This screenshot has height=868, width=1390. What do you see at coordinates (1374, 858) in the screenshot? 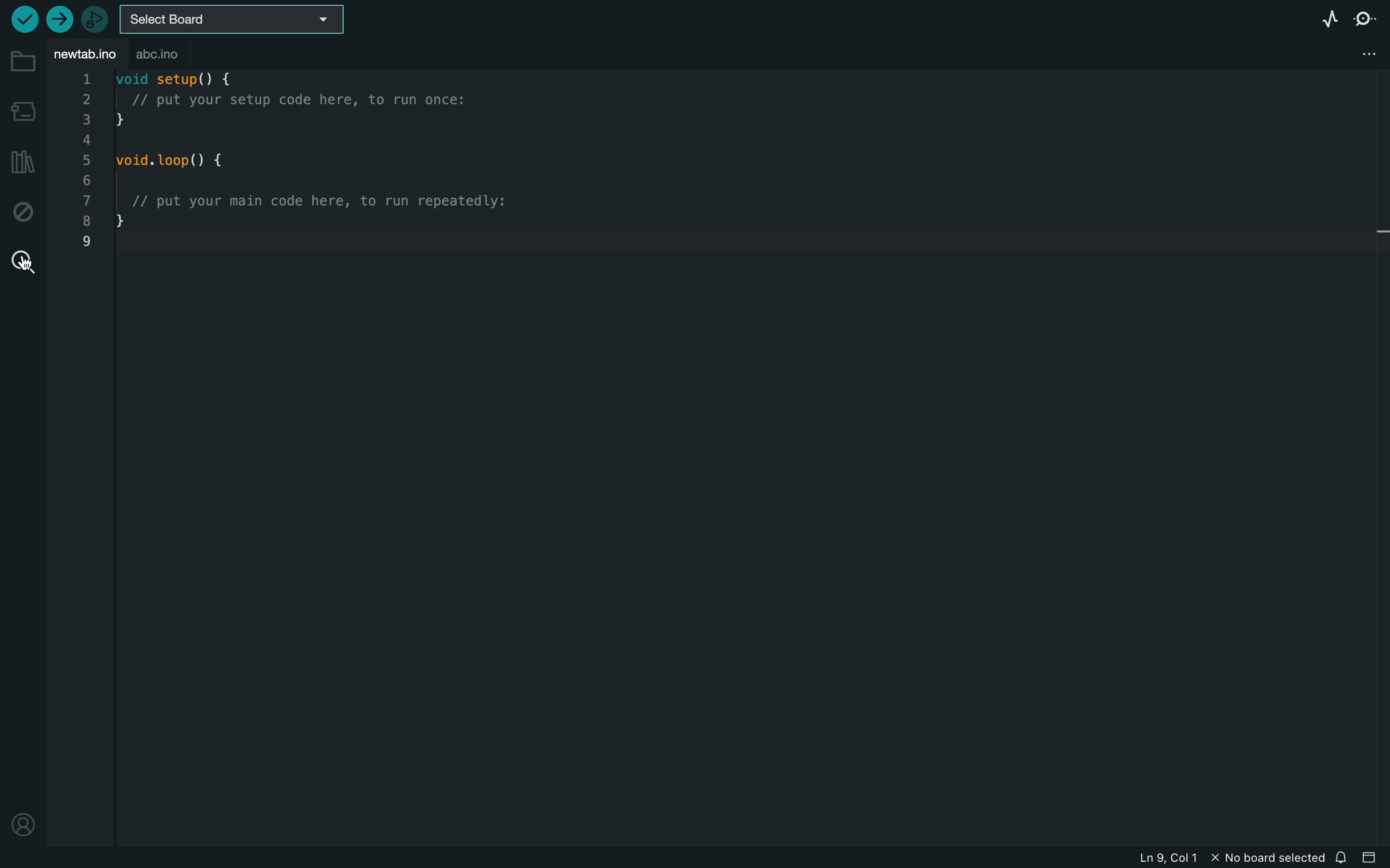
I see `close slide bar` at bounding box center [1374, 858].